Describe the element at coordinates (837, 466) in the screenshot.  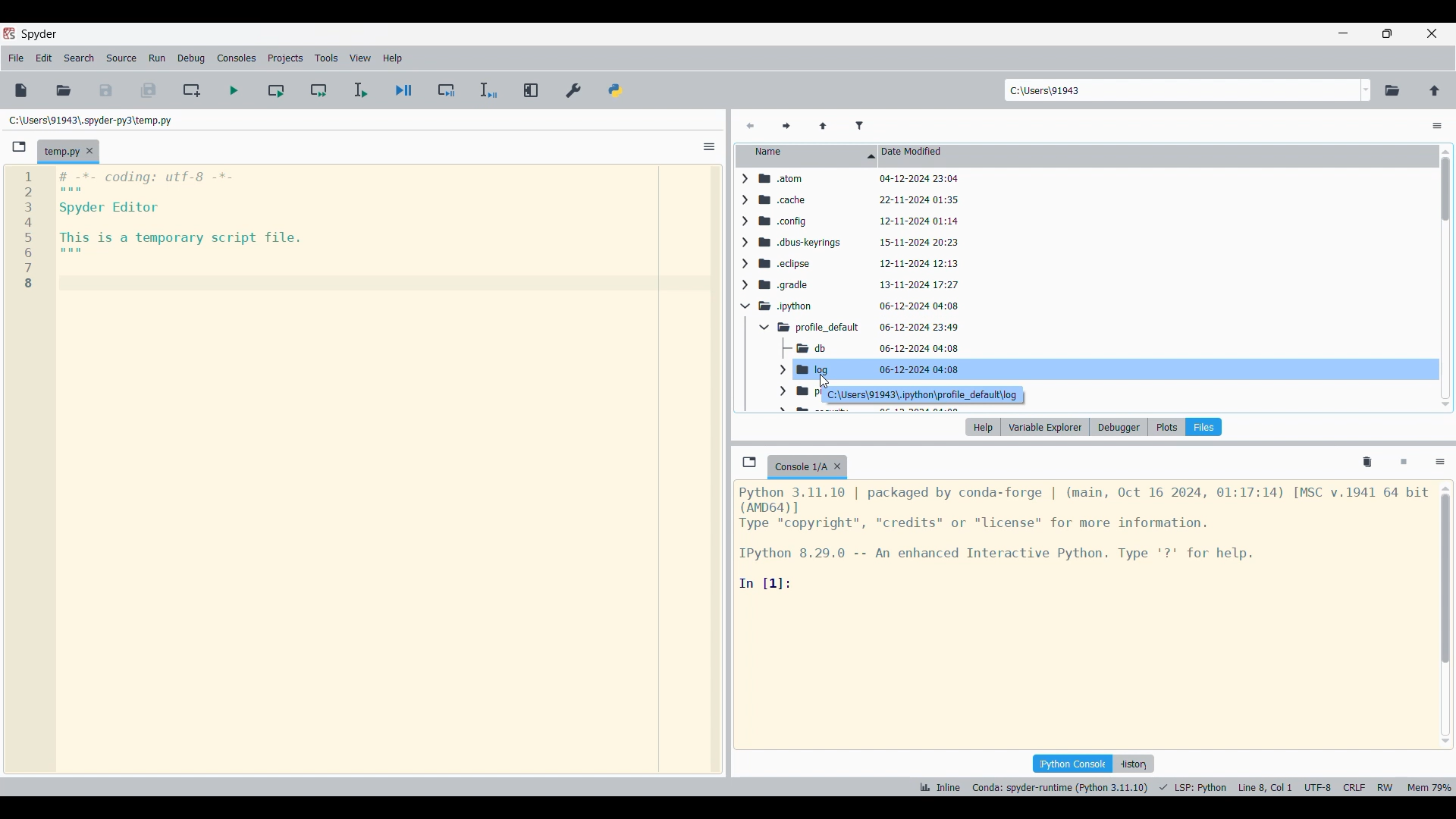
I see `Close` at that location.